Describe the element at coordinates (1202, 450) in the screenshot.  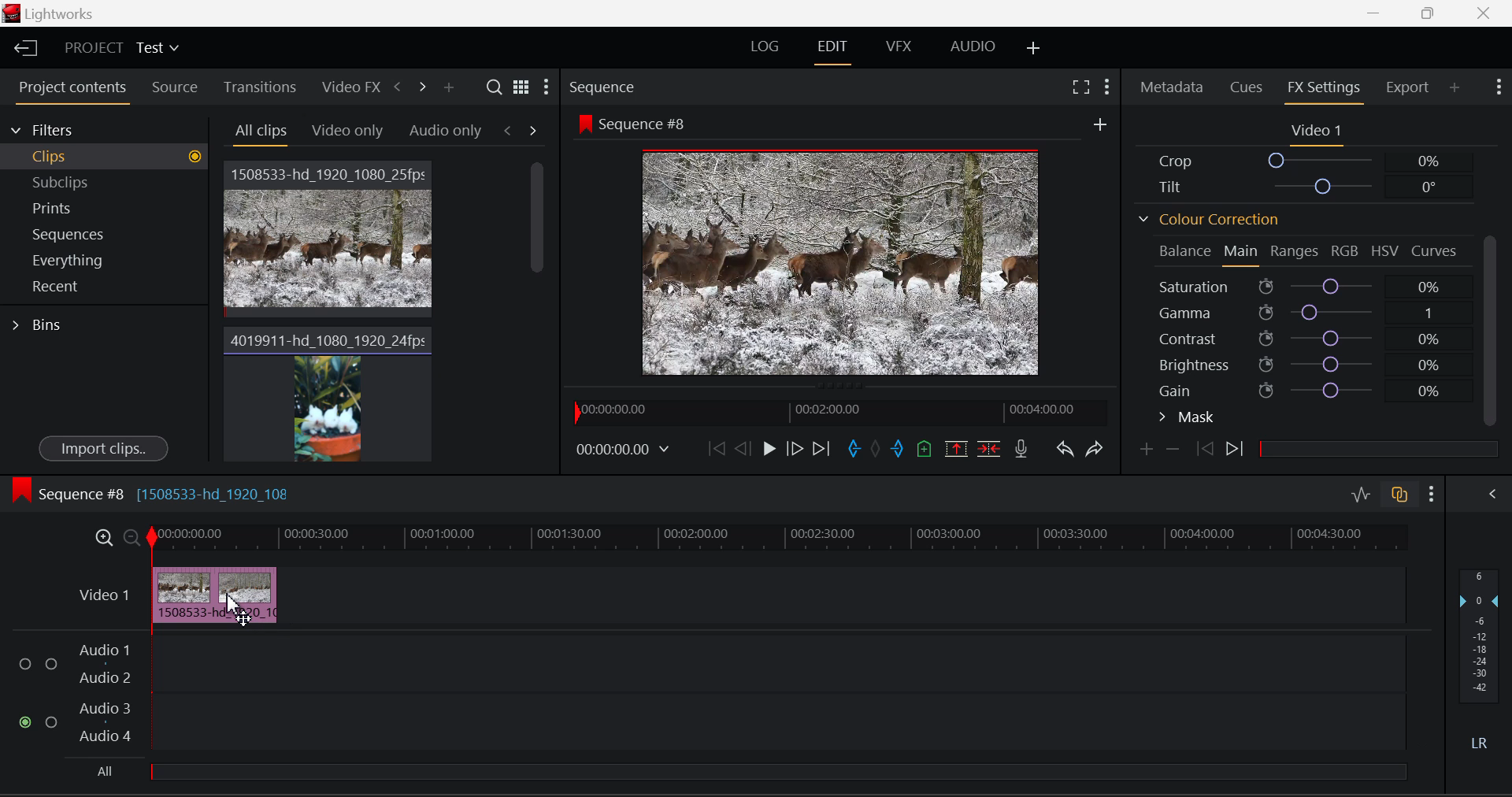
I see `Previous keyframe` at that location.